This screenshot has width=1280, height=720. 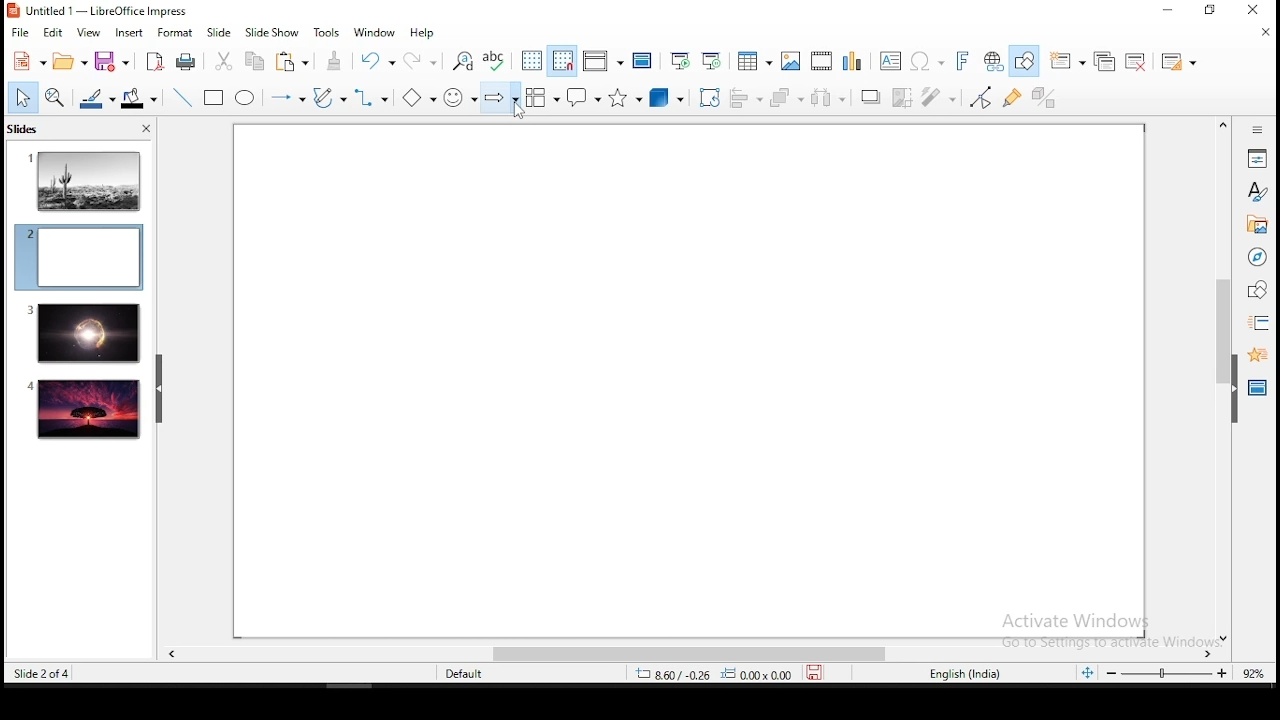 I want to click on hyperlink, so click(x=994, y=62).